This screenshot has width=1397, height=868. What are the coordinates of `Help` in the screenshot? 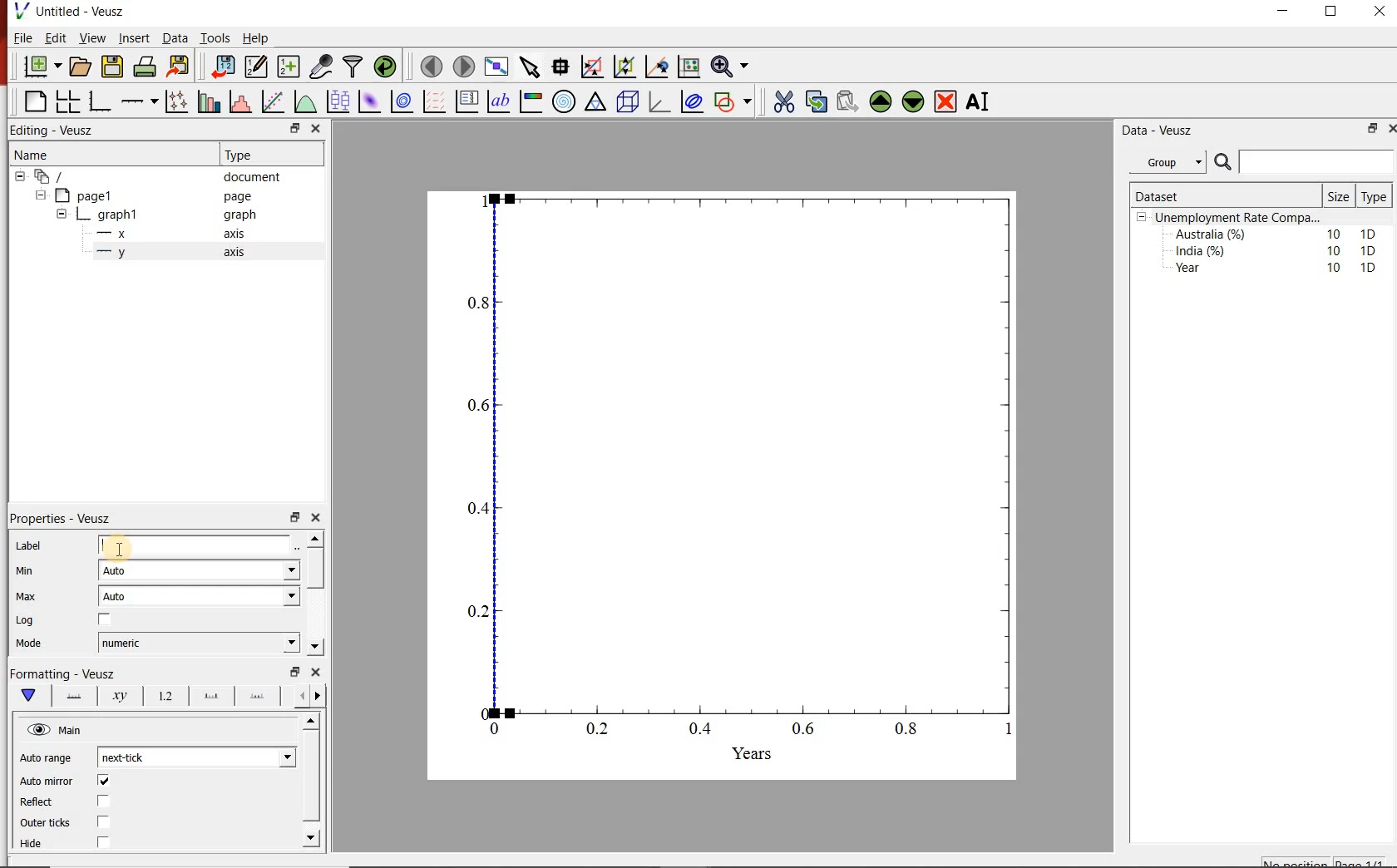 It's located at (256, 38).